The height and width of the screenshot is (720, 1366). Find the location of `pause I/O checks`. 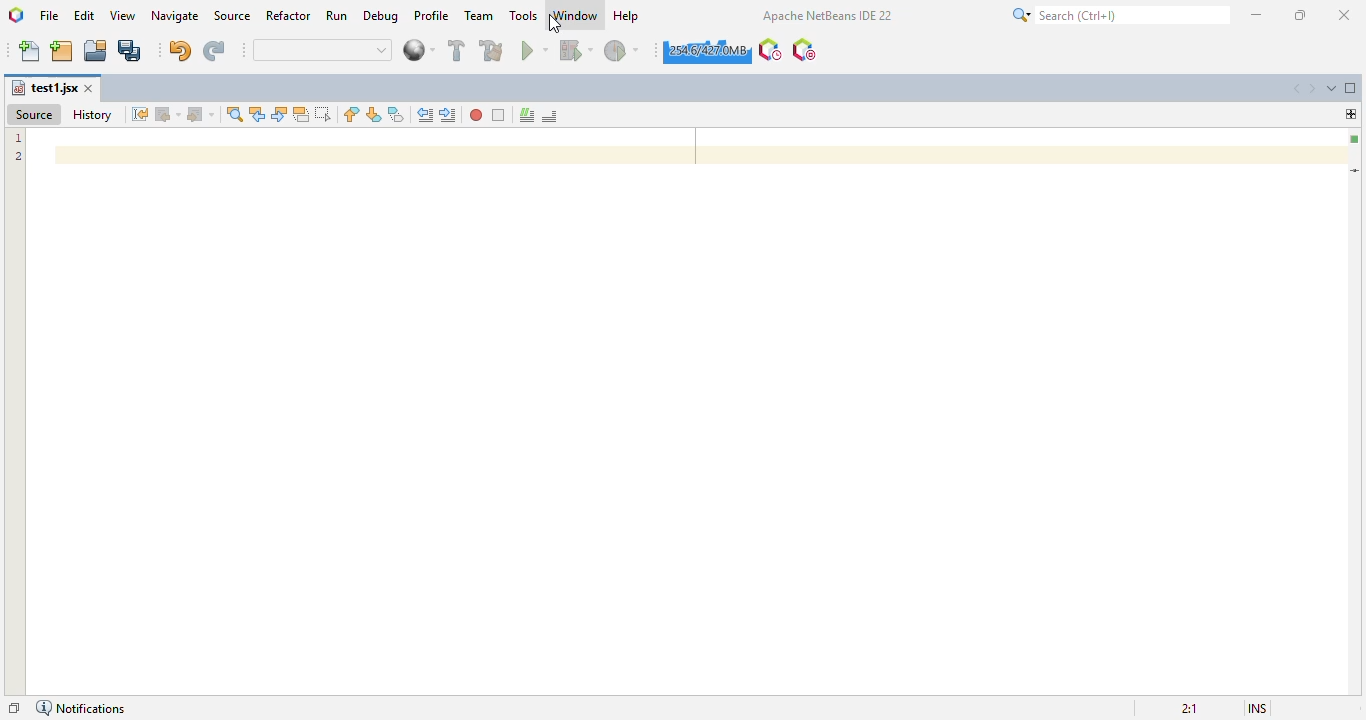

pause I/O checks is located at coordinates (803, 50).